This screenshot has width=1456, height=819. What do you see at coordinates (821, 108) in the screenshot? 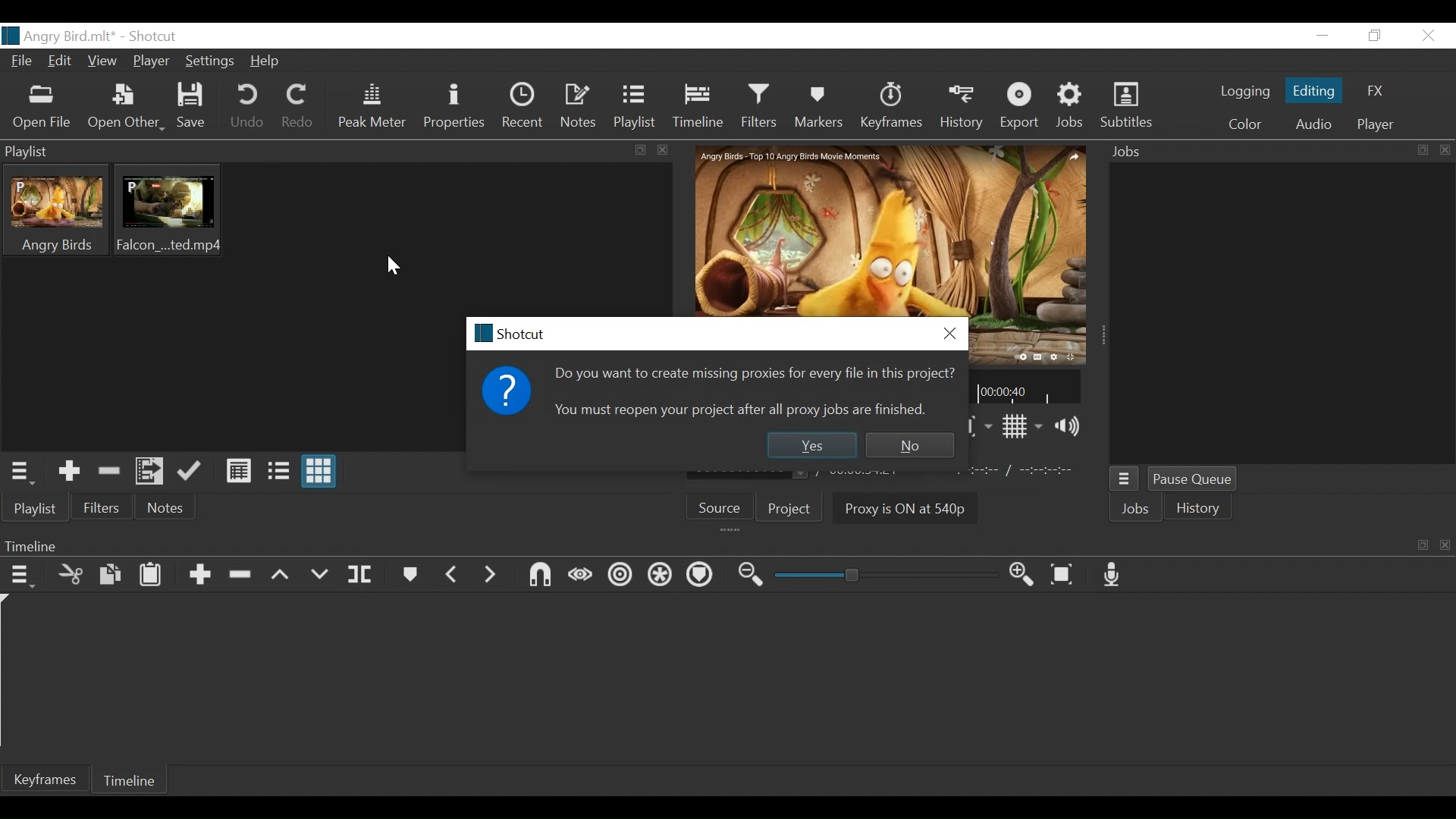
I see `Markers` at bounding box center [821, 108].